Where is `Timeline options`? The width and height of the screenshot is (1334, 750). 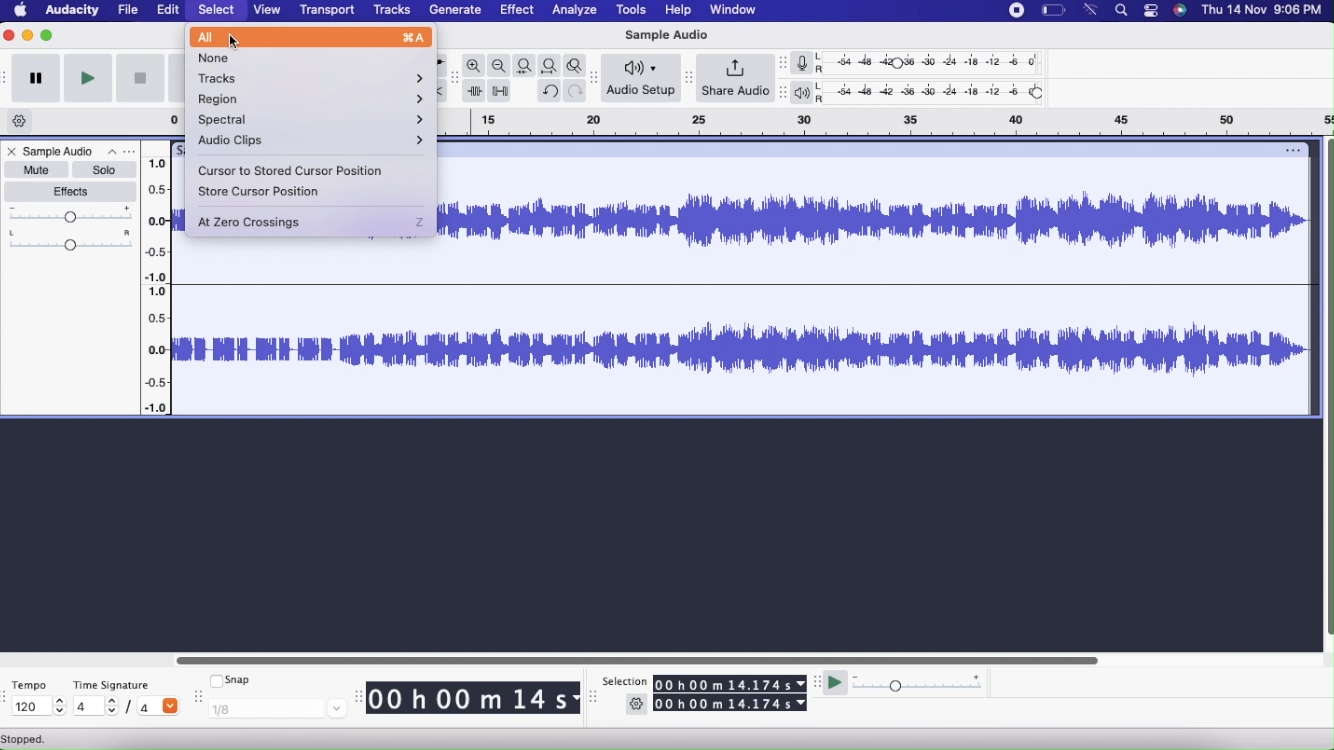
Timeline options is located at coordinates (22, 121).